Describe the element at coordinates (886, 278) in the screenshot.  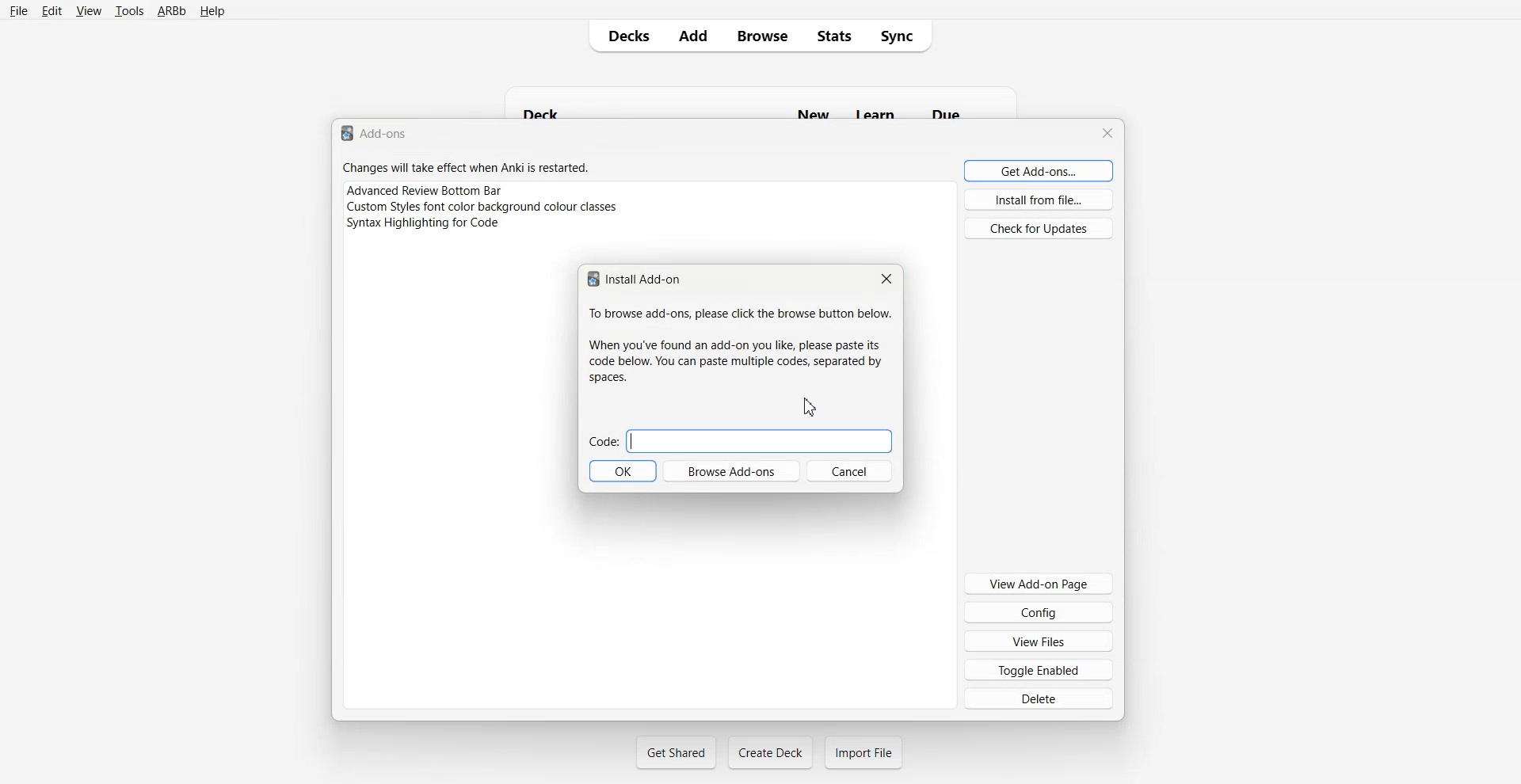
I see `Close` at that location.